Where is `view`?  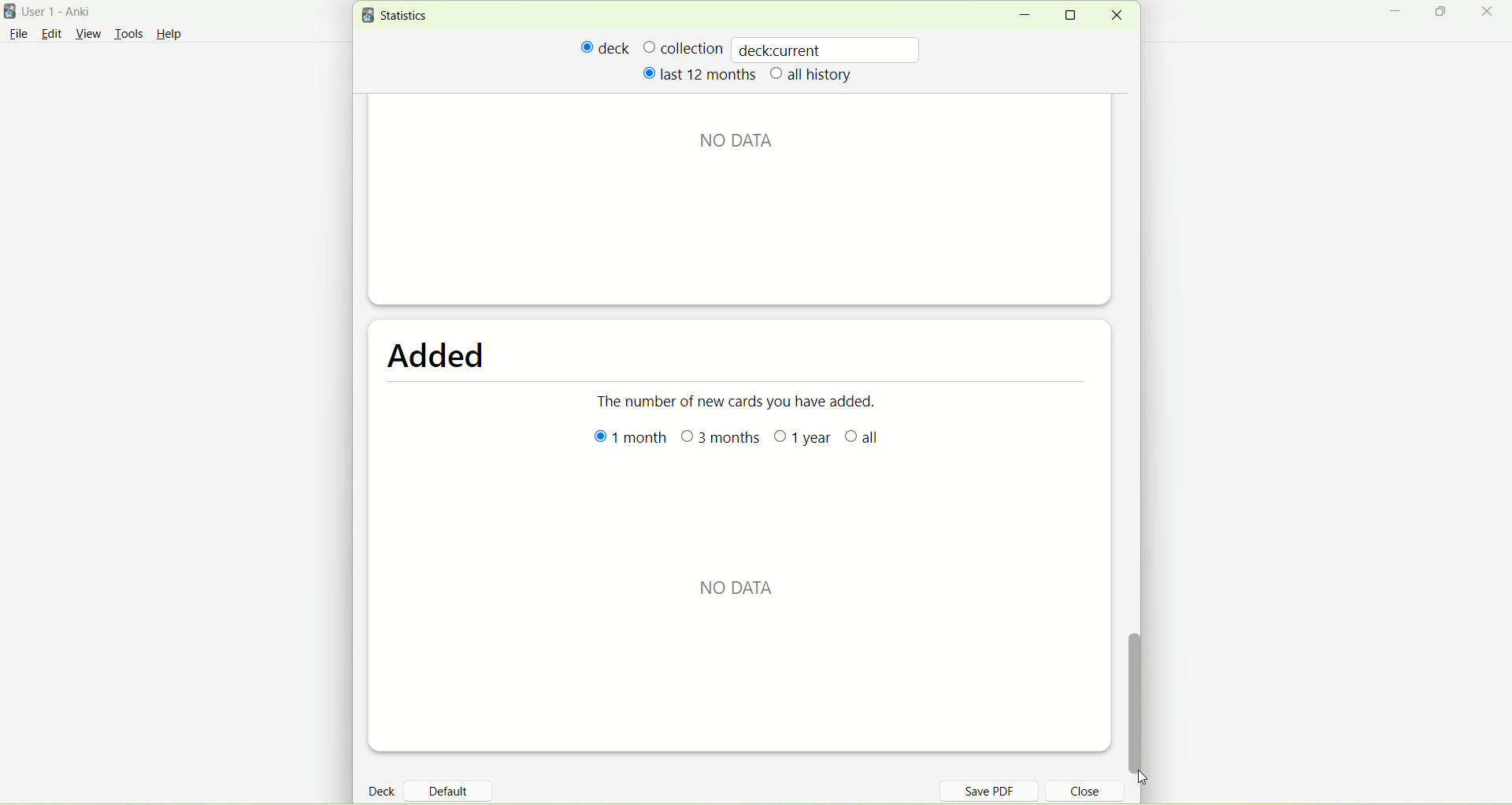
view is located at coordinates (91, 35).